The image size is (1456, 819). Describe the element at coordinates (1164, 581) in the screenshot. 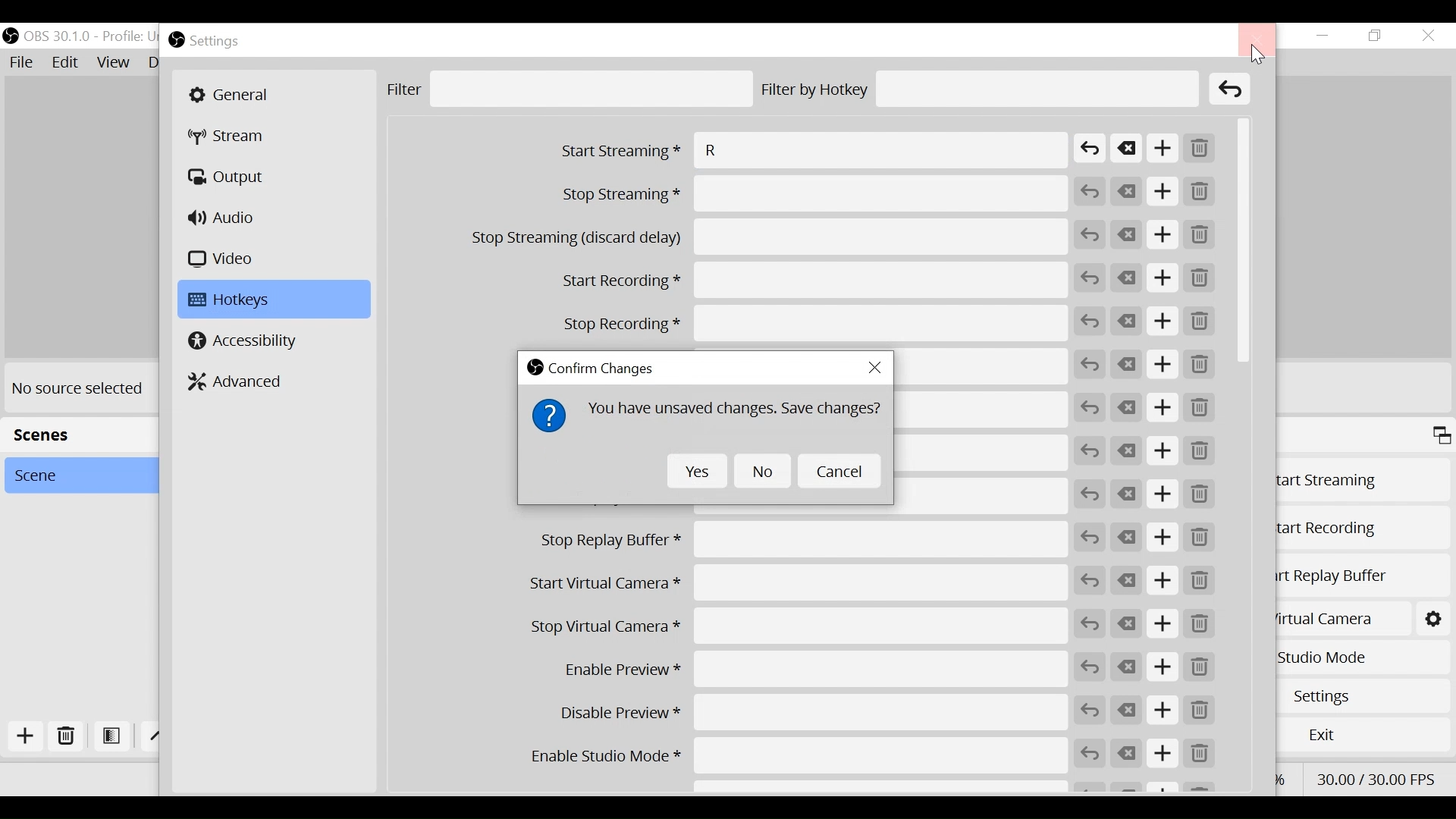

I see `Add` at that location.